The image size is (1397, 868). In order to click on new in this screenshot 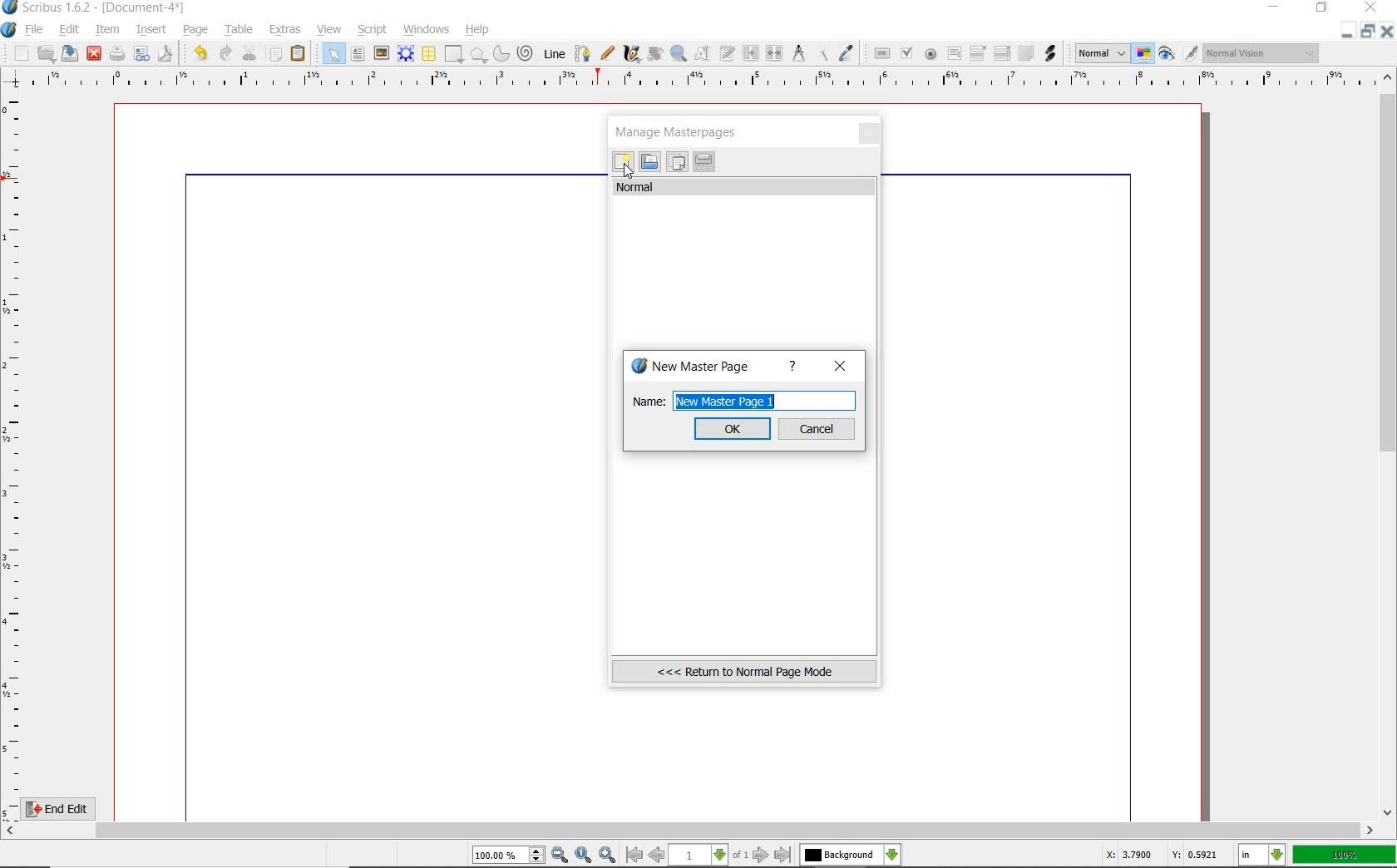, I will do `click(623, 164)`.